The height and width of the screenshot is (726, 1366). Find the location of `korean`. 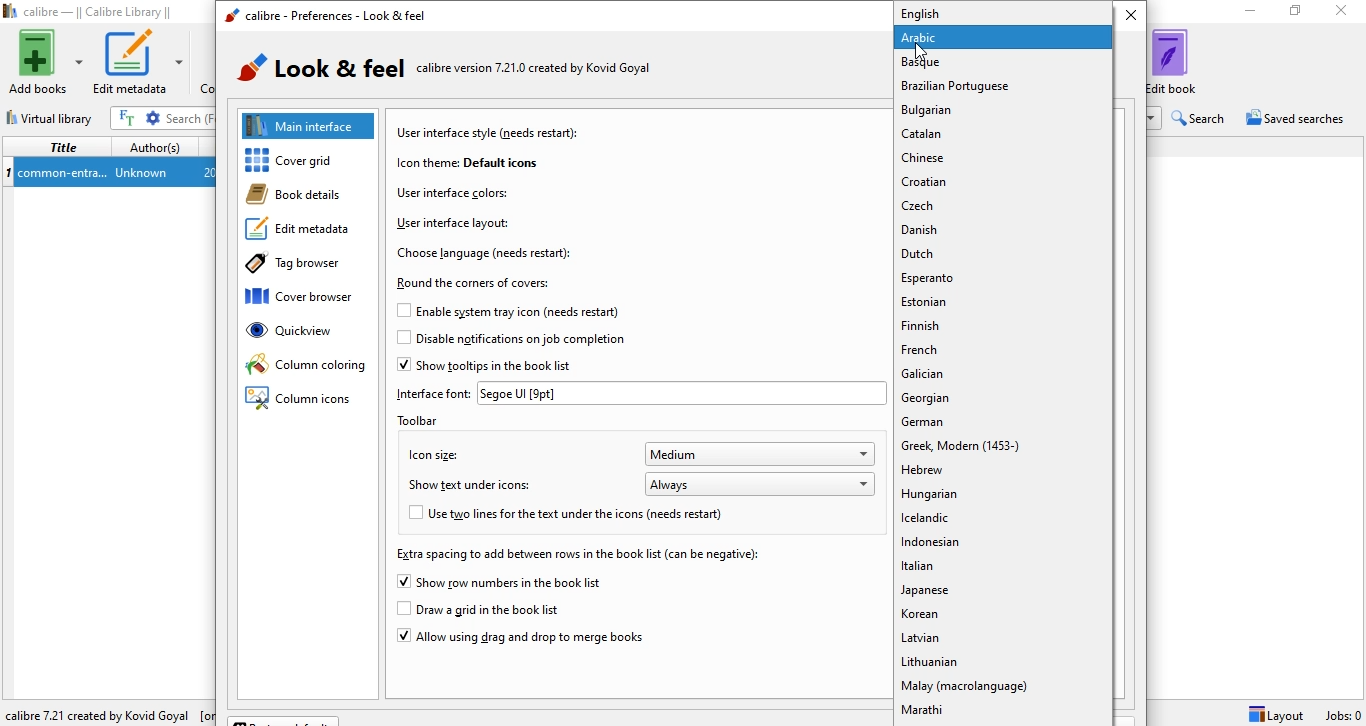

korean is located at coordinates (1000, 617).